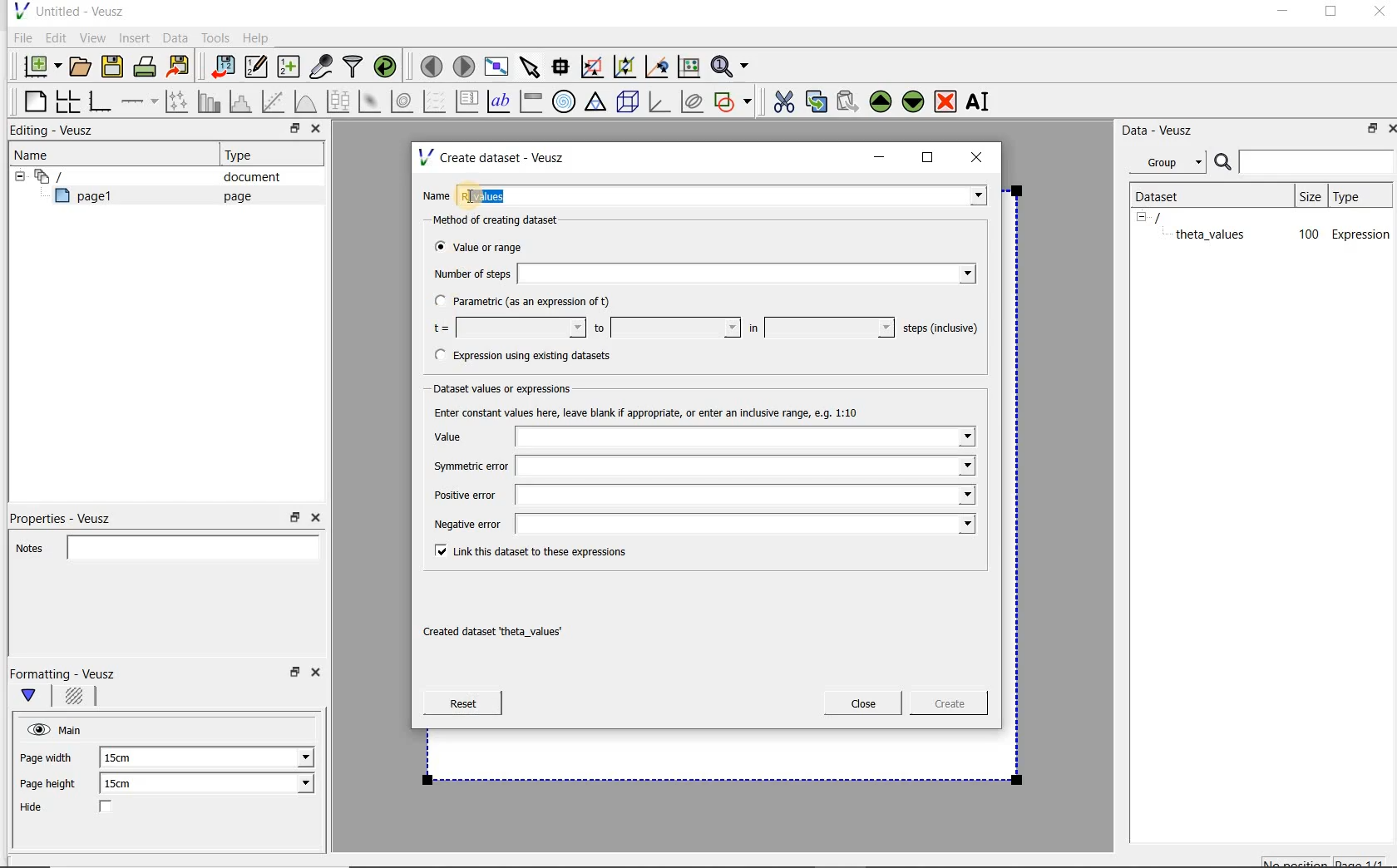 The image size is (1397, 868). What do you see at coordinates (37, 154) in the screenshot?
I see `Name` at bounding box center [37, 154].